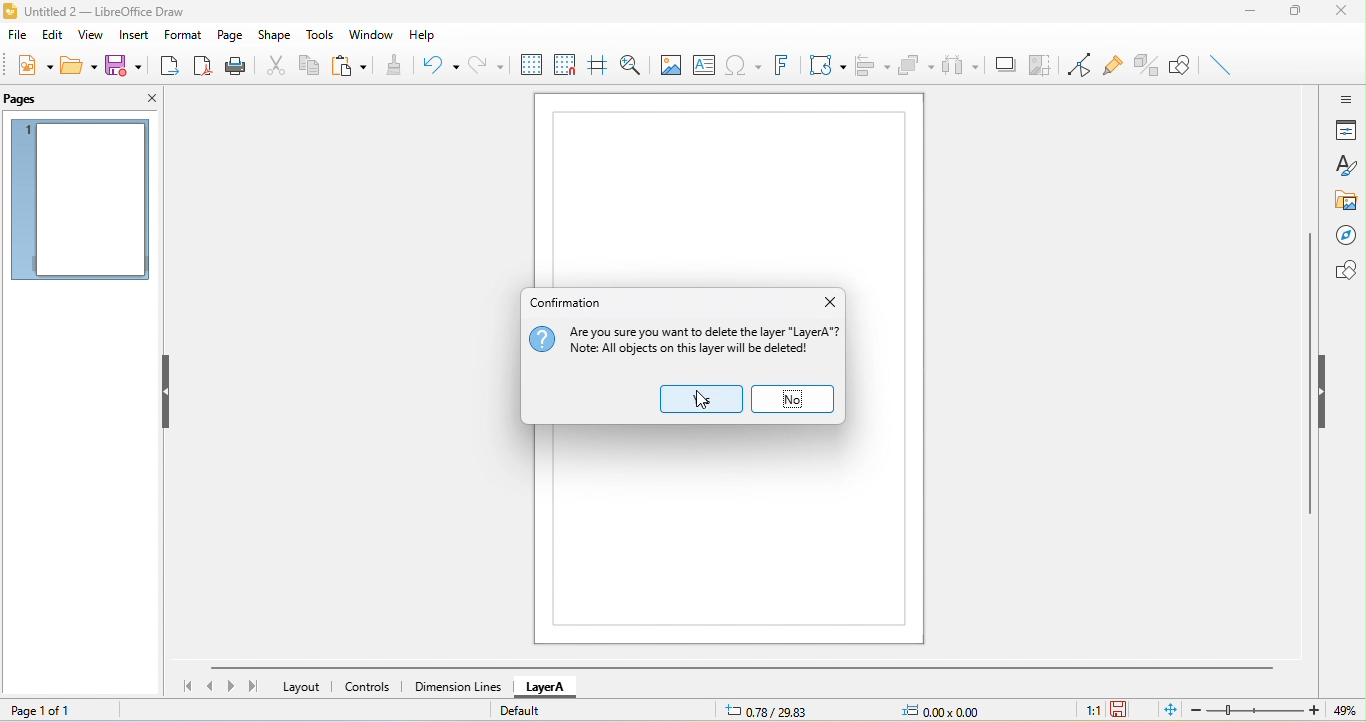 The width and height of the screenshot is (1366, 722). I want to click on no, so click(792, 398).